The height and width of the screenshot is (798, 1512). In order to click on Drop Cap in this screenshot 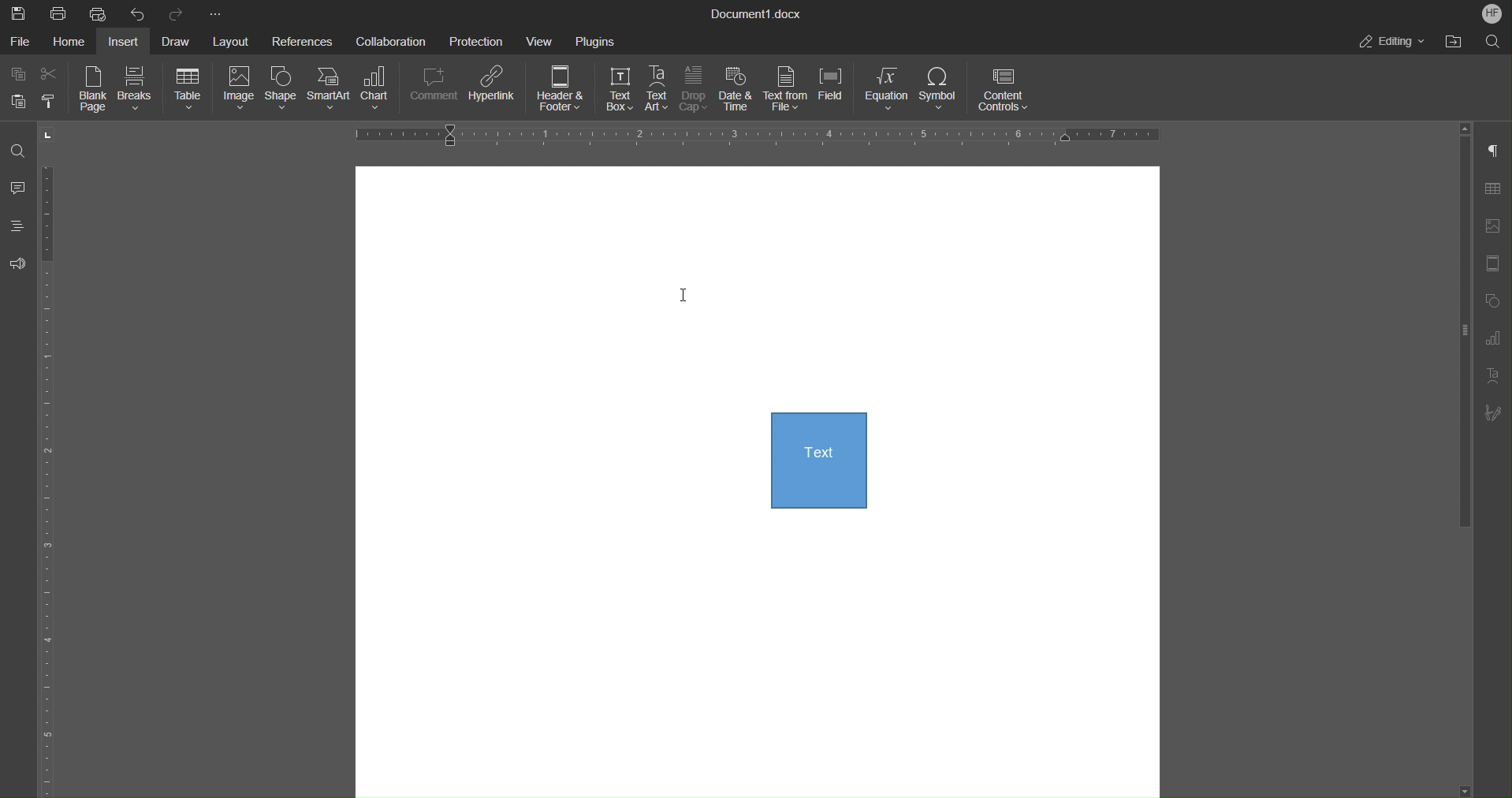, I will do `click(695, 91)`.